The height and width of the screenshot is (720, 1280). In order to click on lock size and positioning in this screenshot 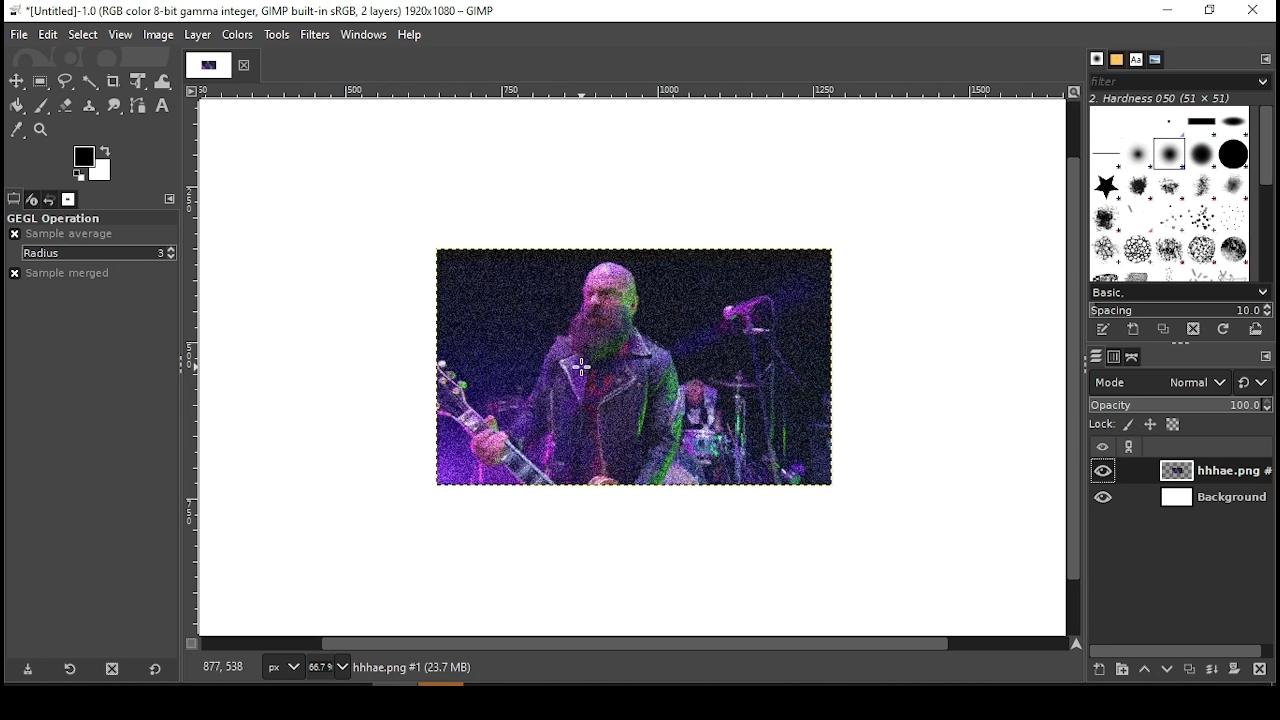, I will do `click(1151, 425)`.